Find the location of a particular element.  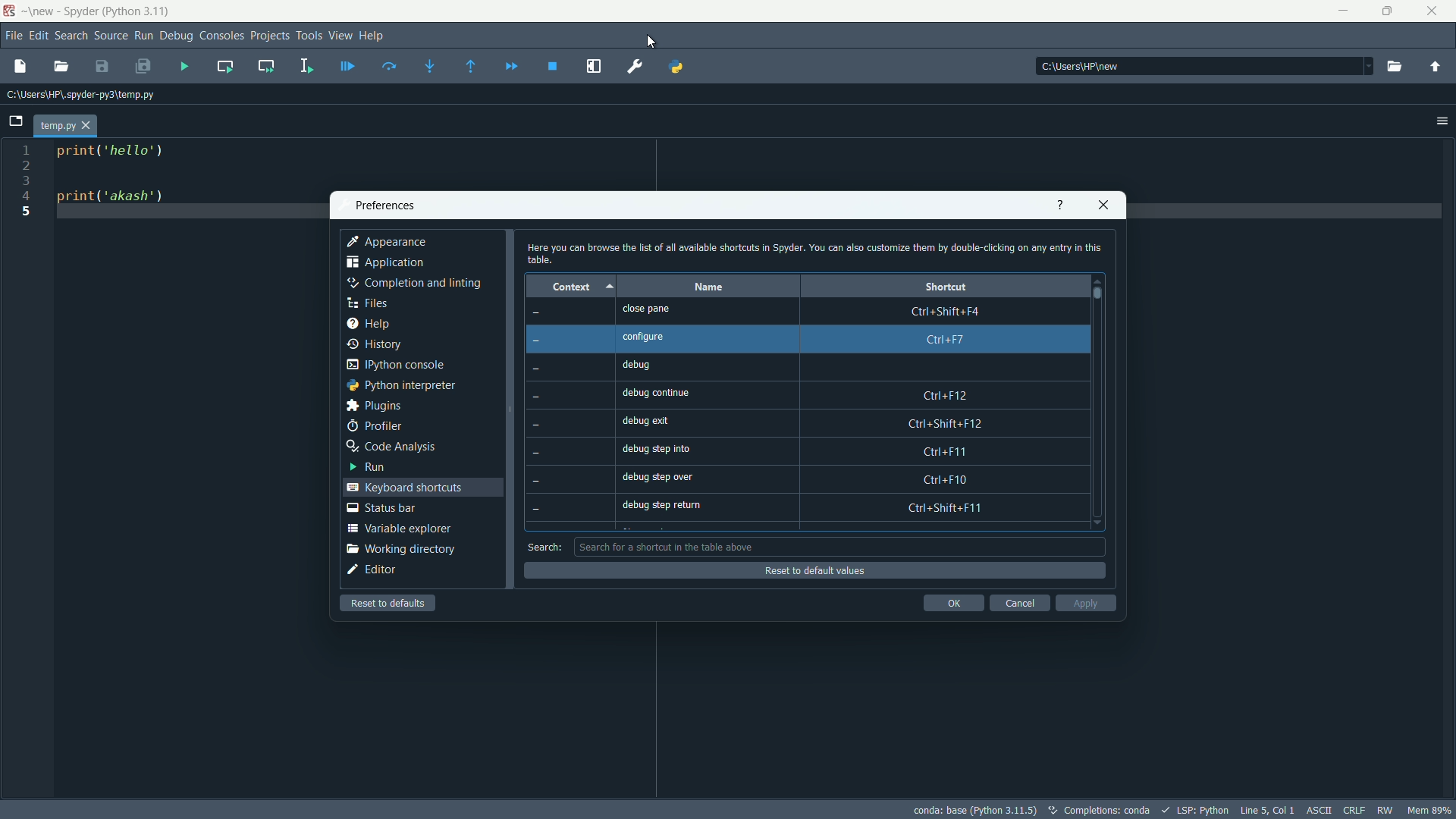

apply is located at coordinates (1086, 603).